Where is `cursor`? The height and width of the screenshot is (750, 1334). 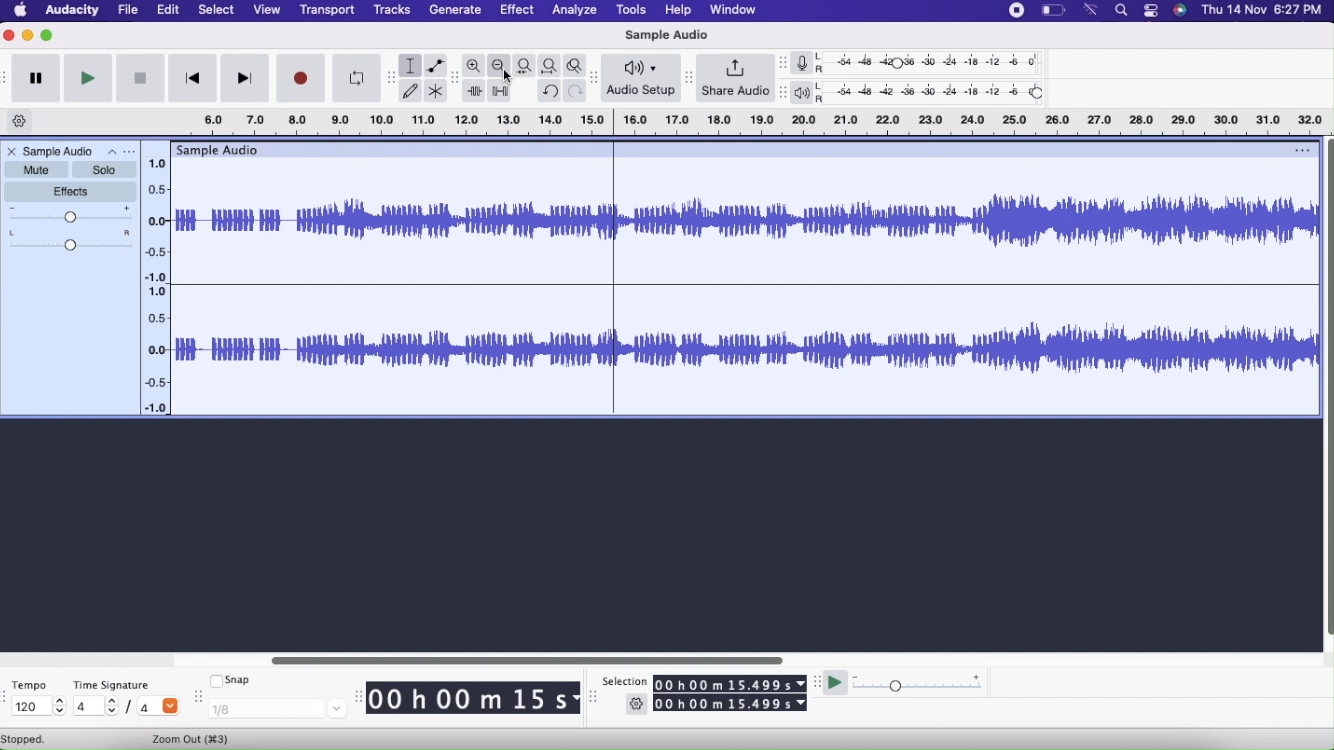
cursor is located at coordinates (515, 78).